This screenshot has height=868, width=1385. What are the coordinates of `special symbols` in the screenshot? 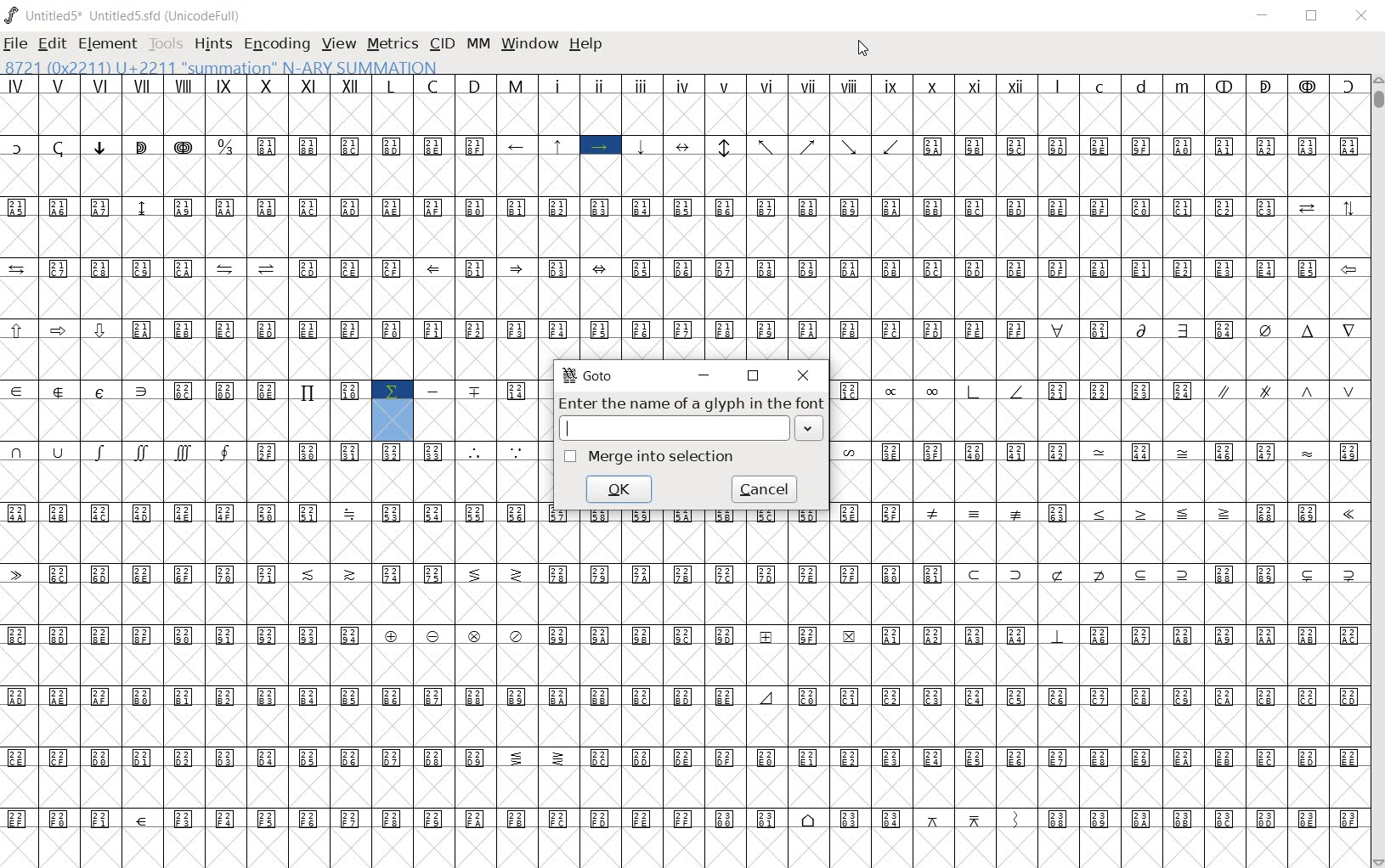 It's located at (687, 330).